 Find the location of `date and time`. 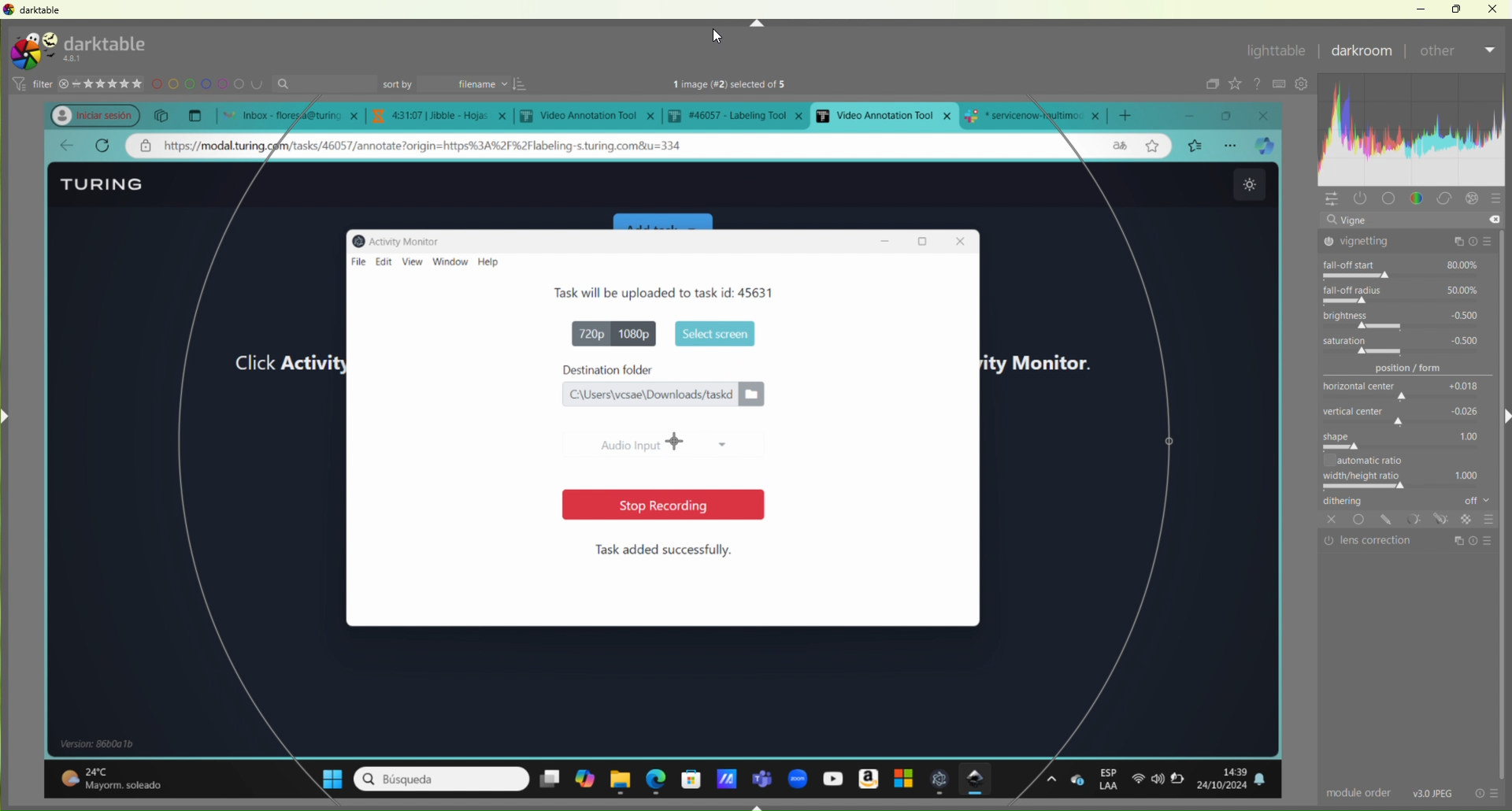

date and time is located at coordinates (1225, 777).